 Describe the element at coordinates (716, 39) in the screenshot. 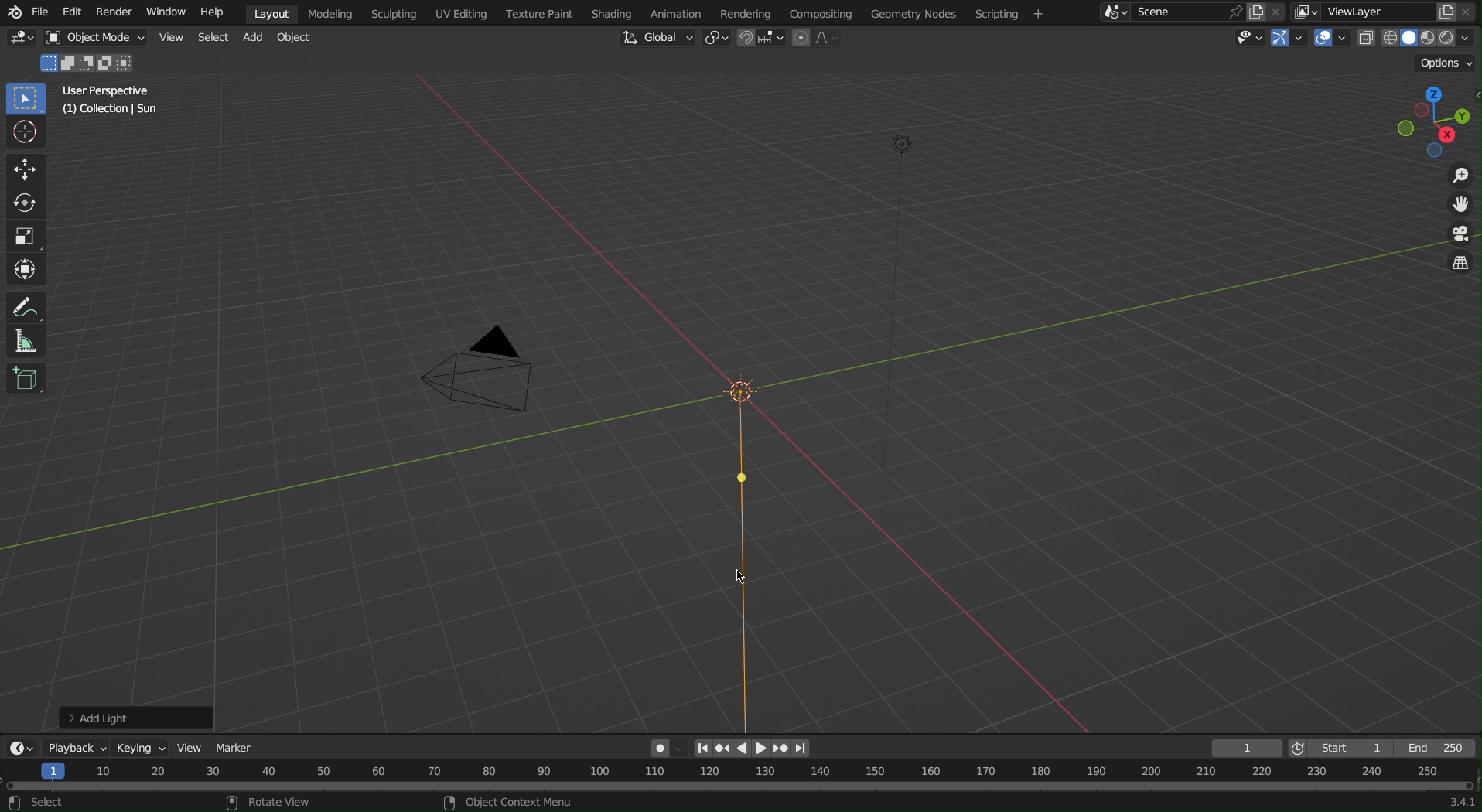

I see `Transform Pivot Point` at that location.